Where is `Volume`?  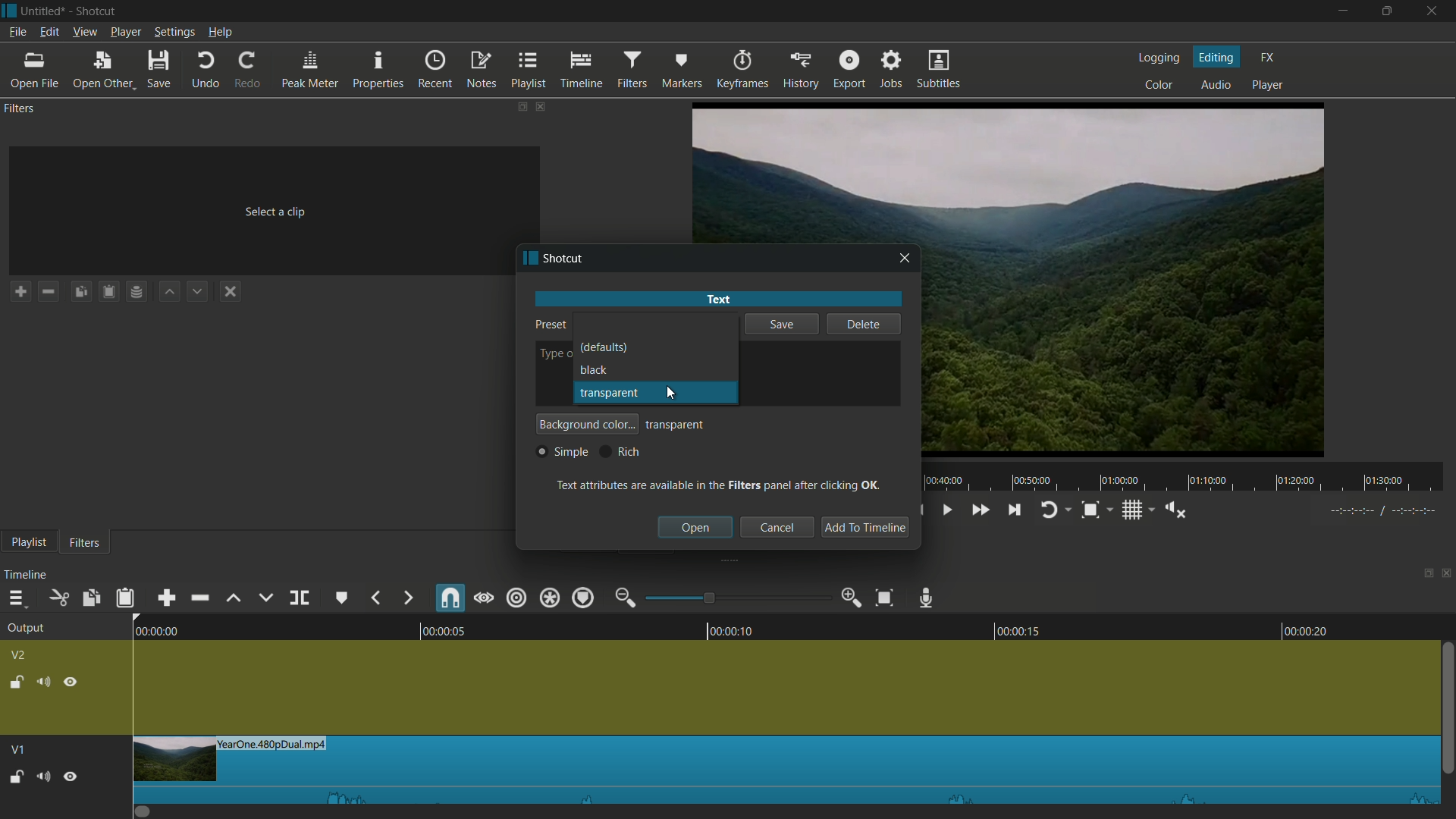
Volume is located at coordinates (42, 775).